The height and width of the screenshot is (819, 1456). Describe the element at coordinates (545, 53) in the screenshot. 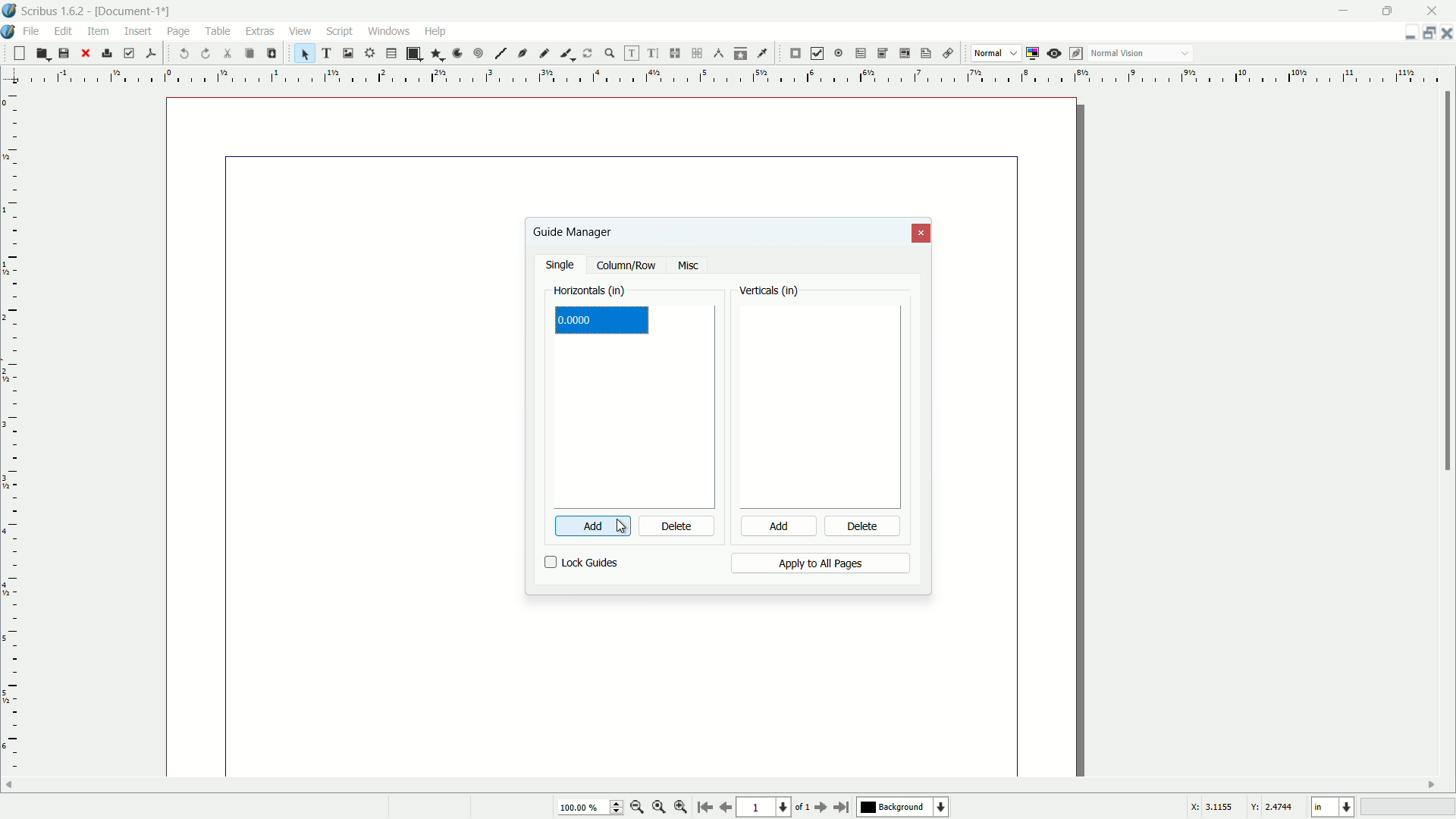

I see `freehand line` at that location.